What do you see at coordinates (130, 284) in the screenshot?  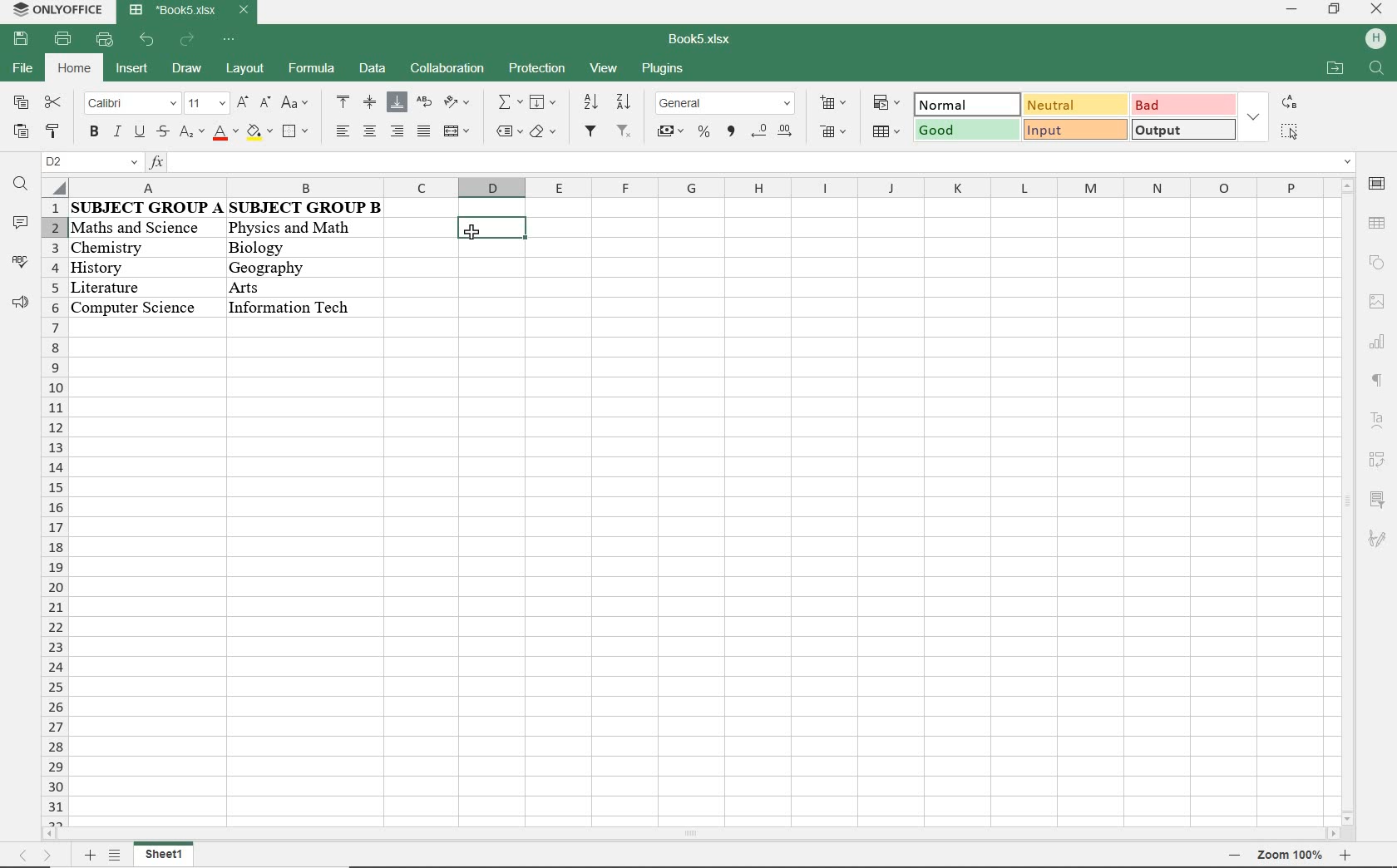 I see `literature` at bounding box center [130, 284].